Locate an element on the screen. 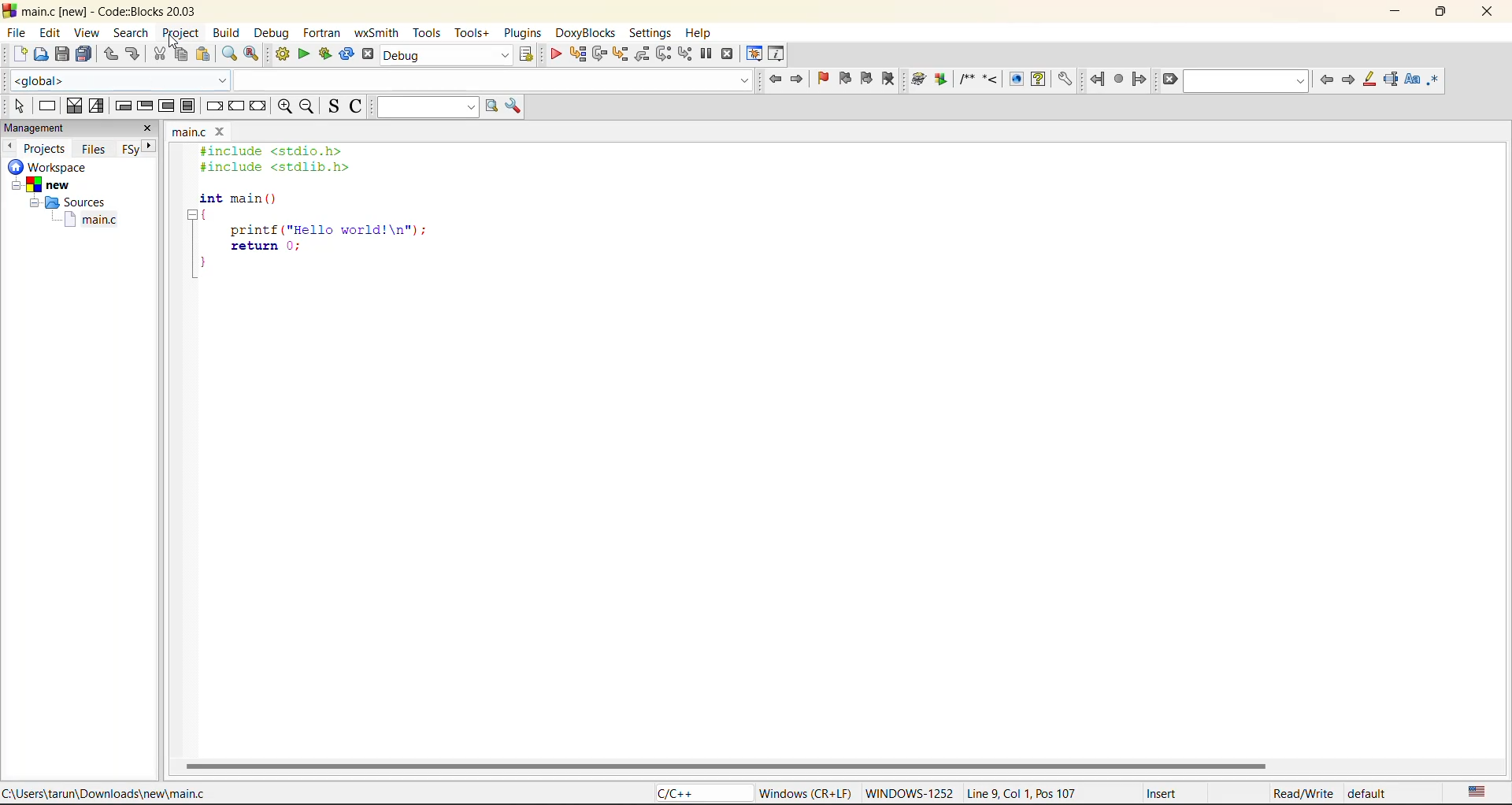 Image resolution: width=1512 pixels, height=805 pixels. redo is located at coordinates (135, 55).